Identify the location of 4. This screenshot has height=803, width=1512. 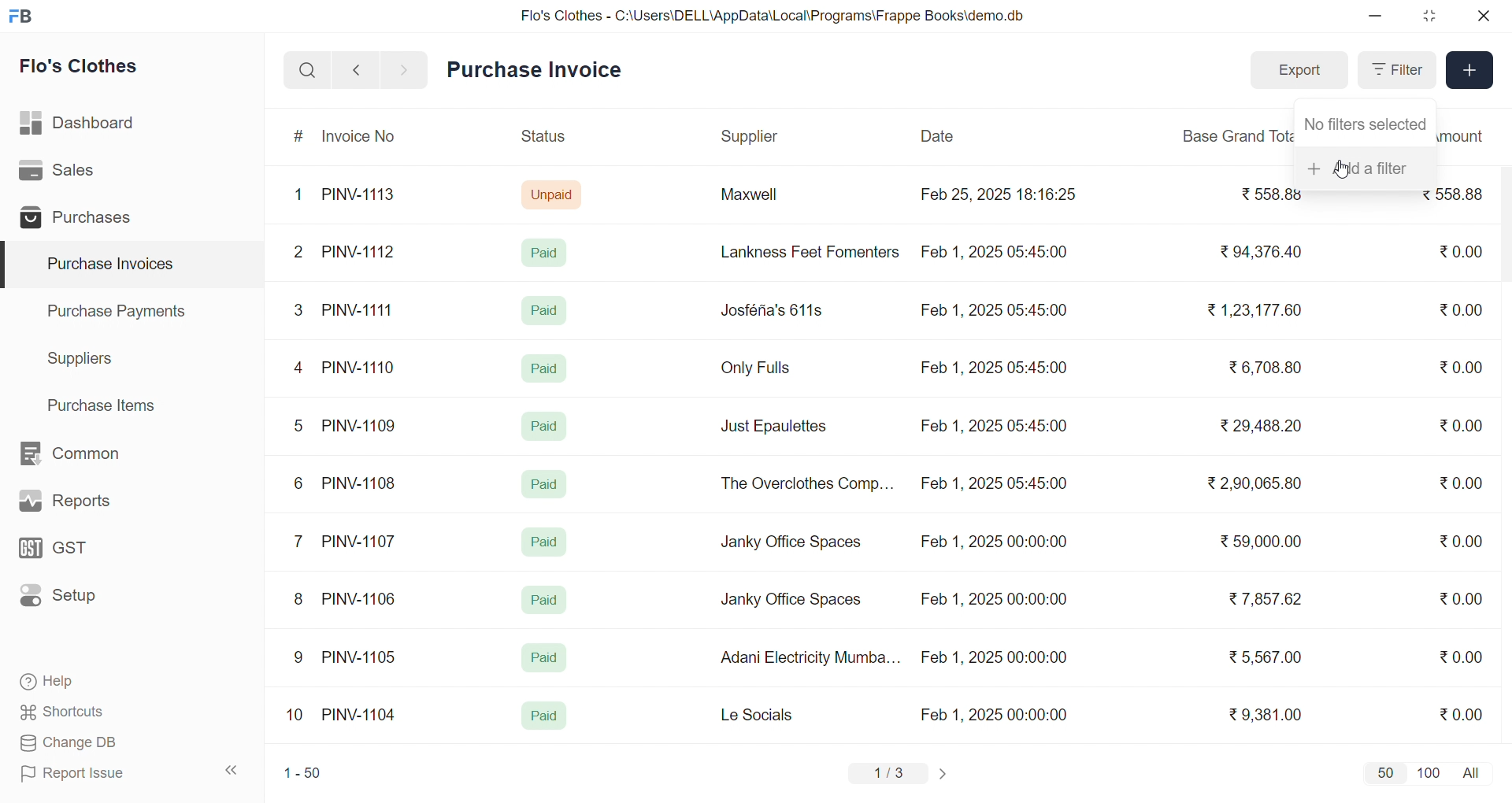
(302, 368).